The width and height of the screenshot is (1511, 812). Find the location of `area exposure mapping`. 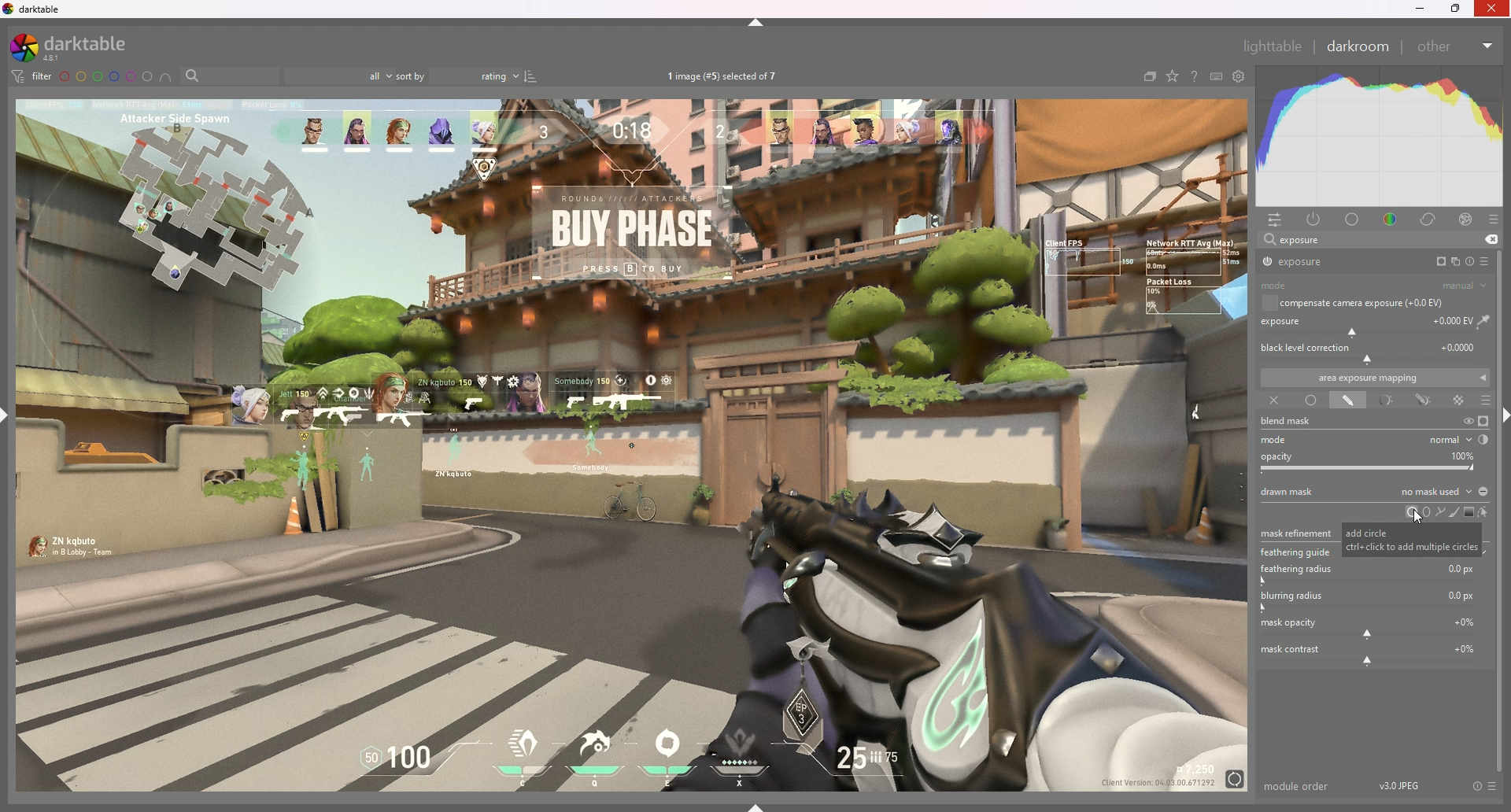

area exposure mapping is located at coordinates (1375, 378).